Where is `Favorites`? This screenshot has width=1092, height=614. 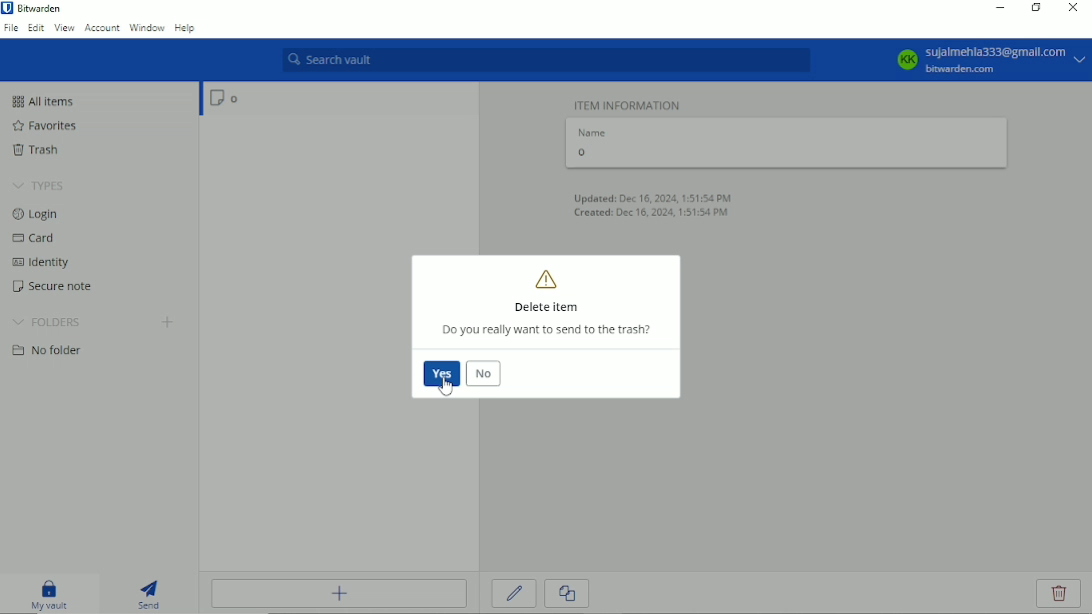 Favorites is located at coordinates (47, 126).